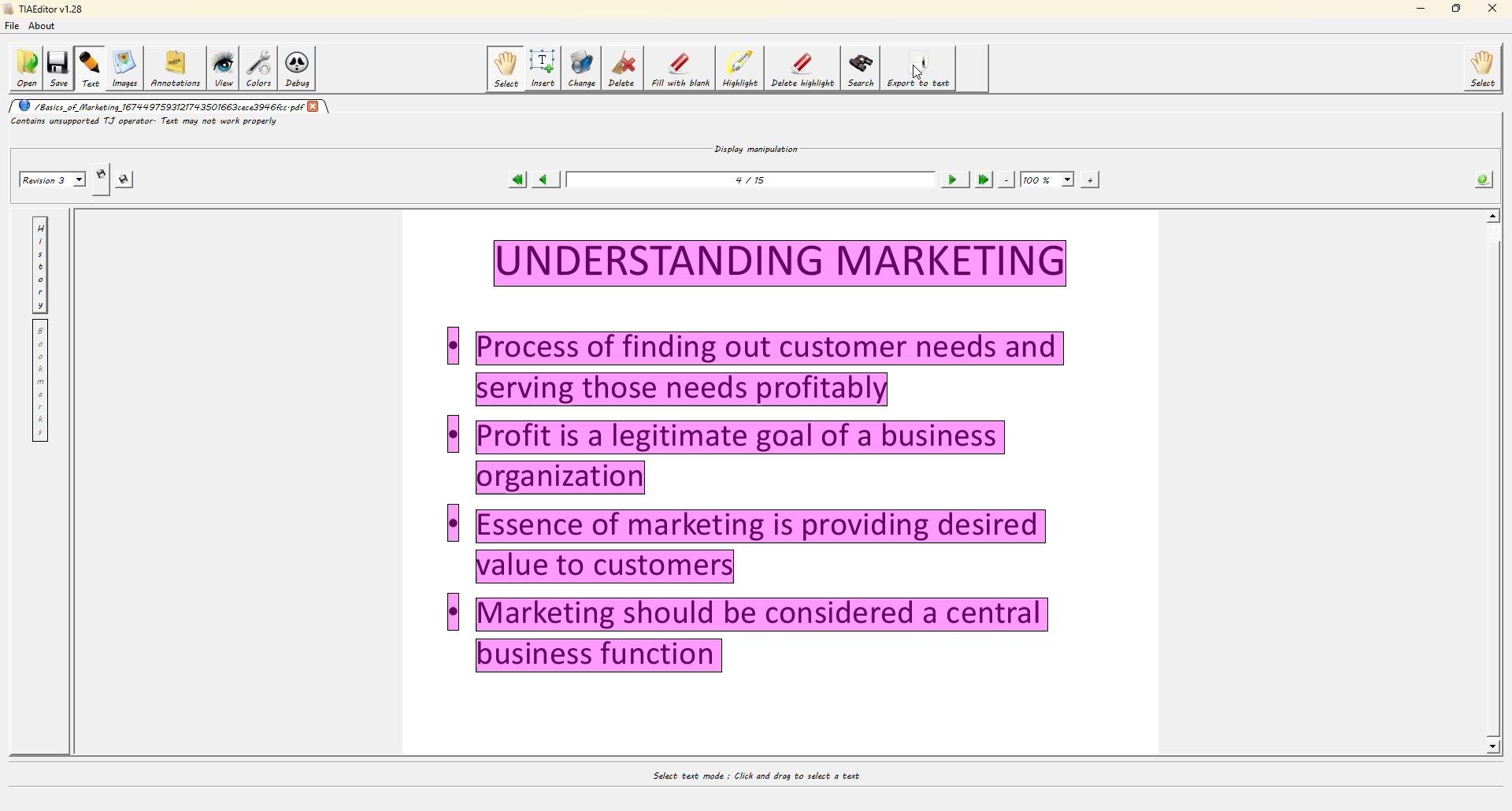 This screenshot has width=1512, height=811. What do you see at coordinates (1457, 8) in the screenshot?
I see `maximize` at bounding box center [1457, 8].